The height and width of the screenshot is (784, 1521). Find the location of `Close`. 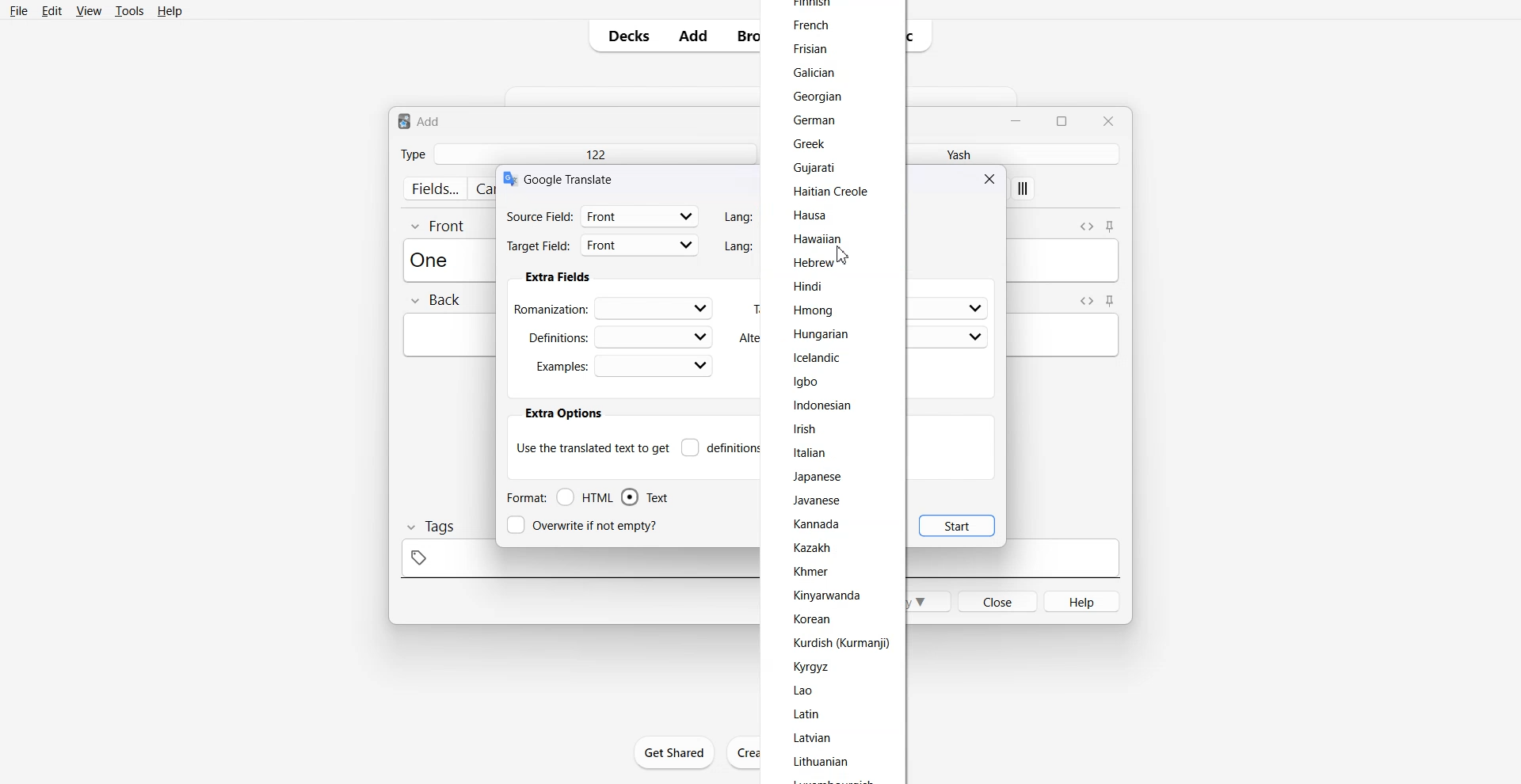

Close is located at coordinates (992, 178).